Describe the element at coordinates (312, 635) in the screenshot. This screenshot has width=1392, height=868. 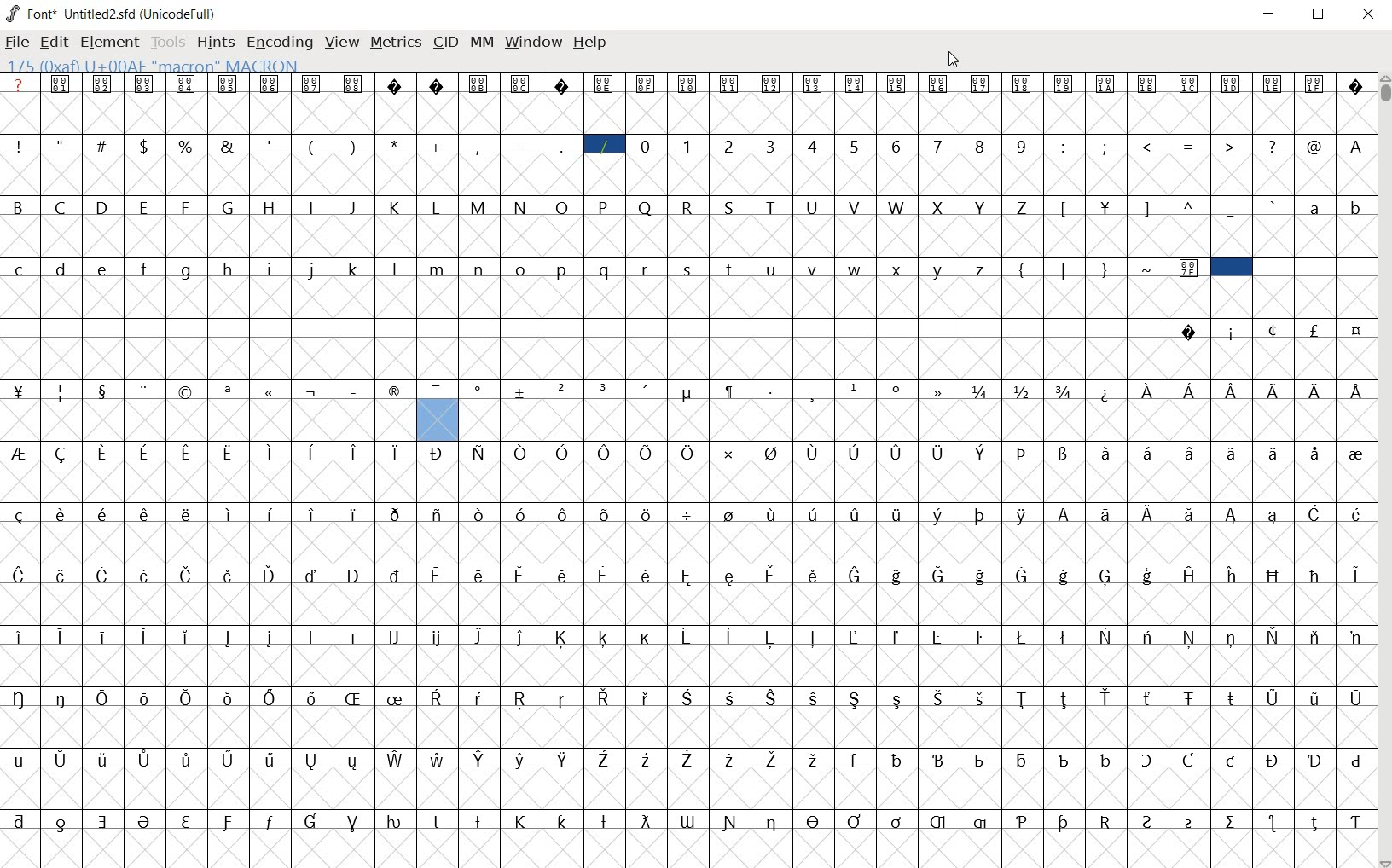
I see `Symbol` at that location.